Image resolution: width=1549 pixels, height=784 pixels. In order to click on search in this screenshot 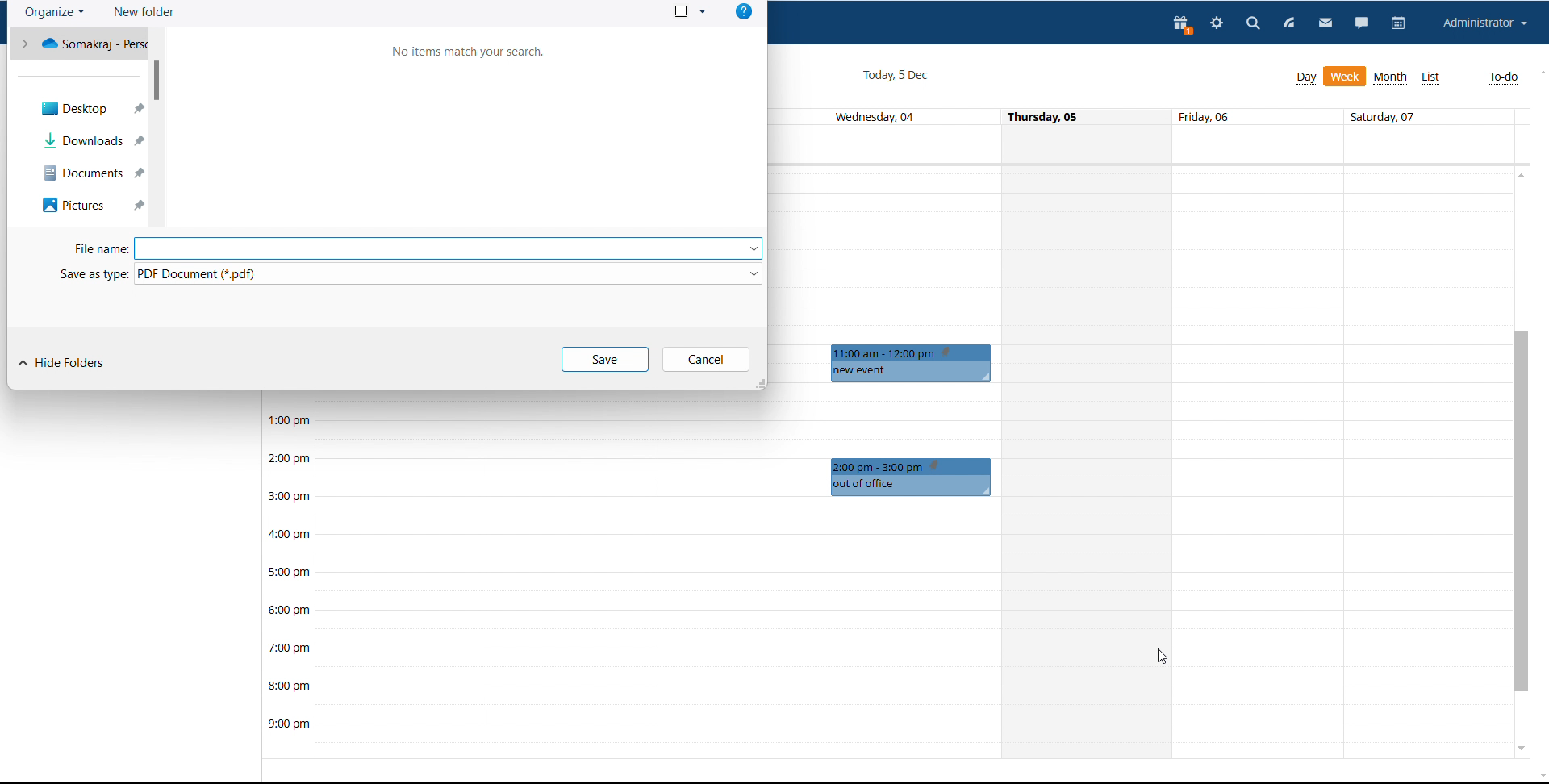, I will do `click(1251, 24)`.